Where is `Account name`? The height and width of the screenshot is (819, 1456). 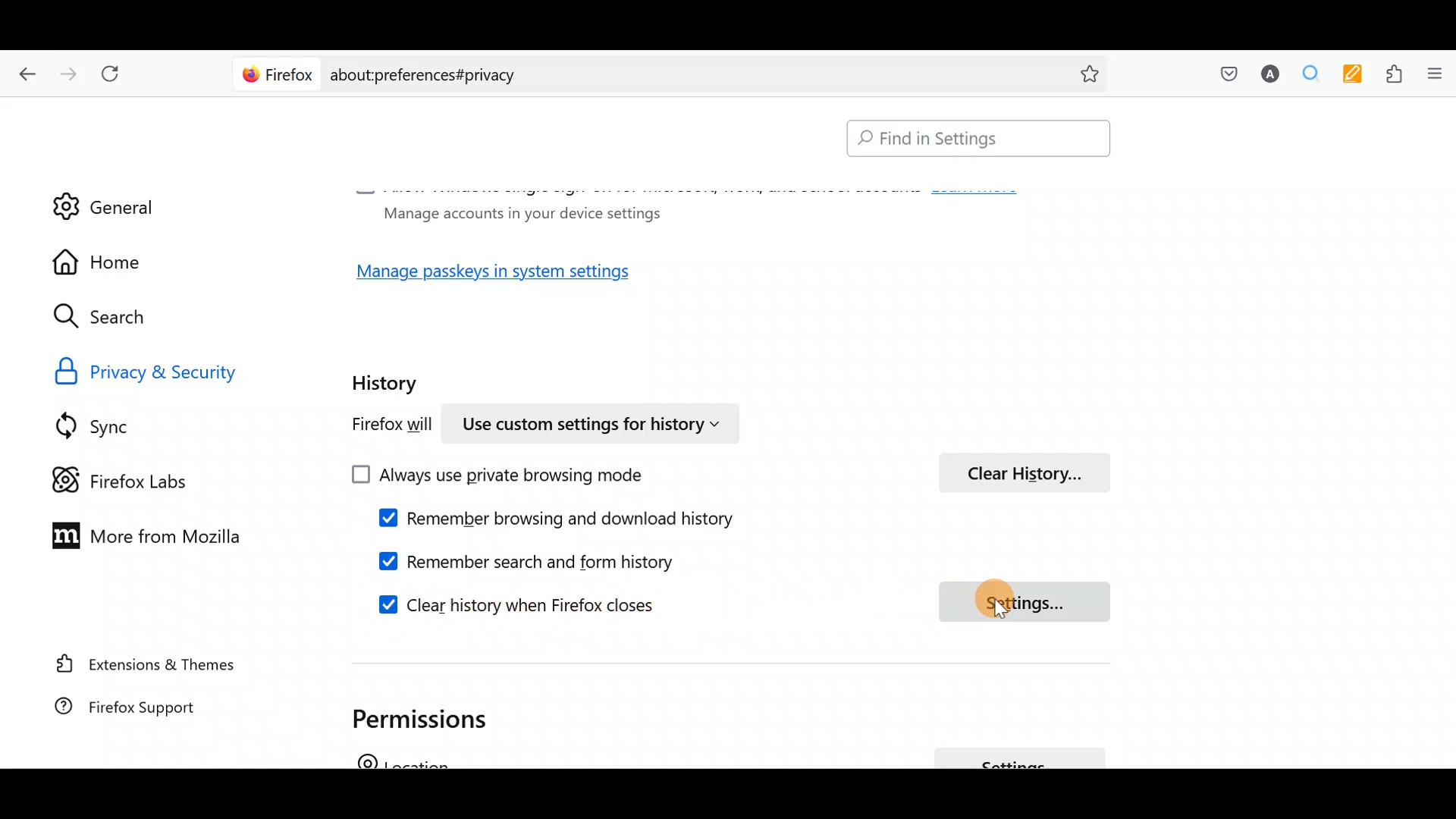
Account name is located at coordinates (1266, 76).